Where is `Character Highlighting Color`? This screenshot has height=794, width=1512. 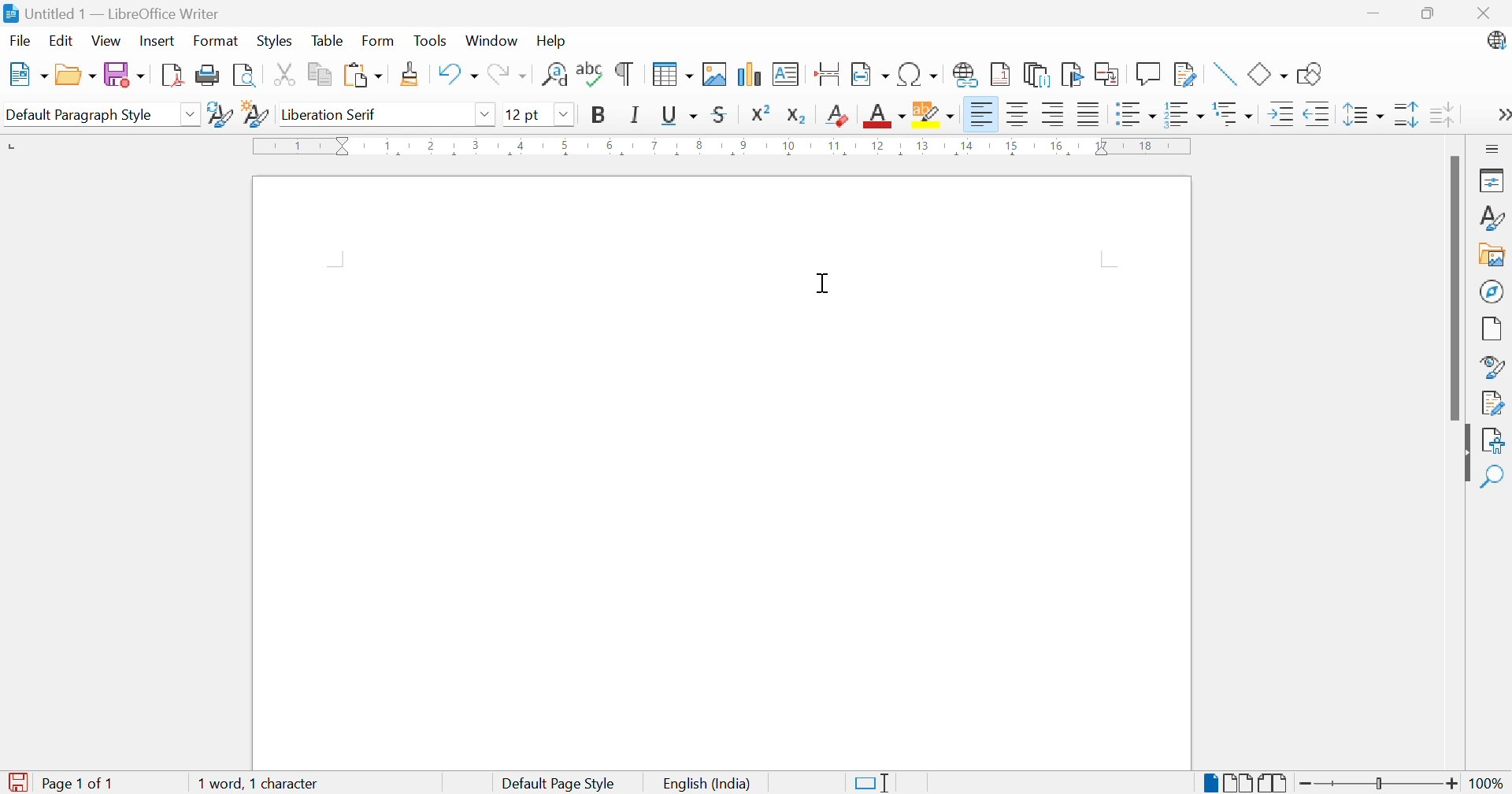 Character Highlighting Color is located at coordinates (935, 116).